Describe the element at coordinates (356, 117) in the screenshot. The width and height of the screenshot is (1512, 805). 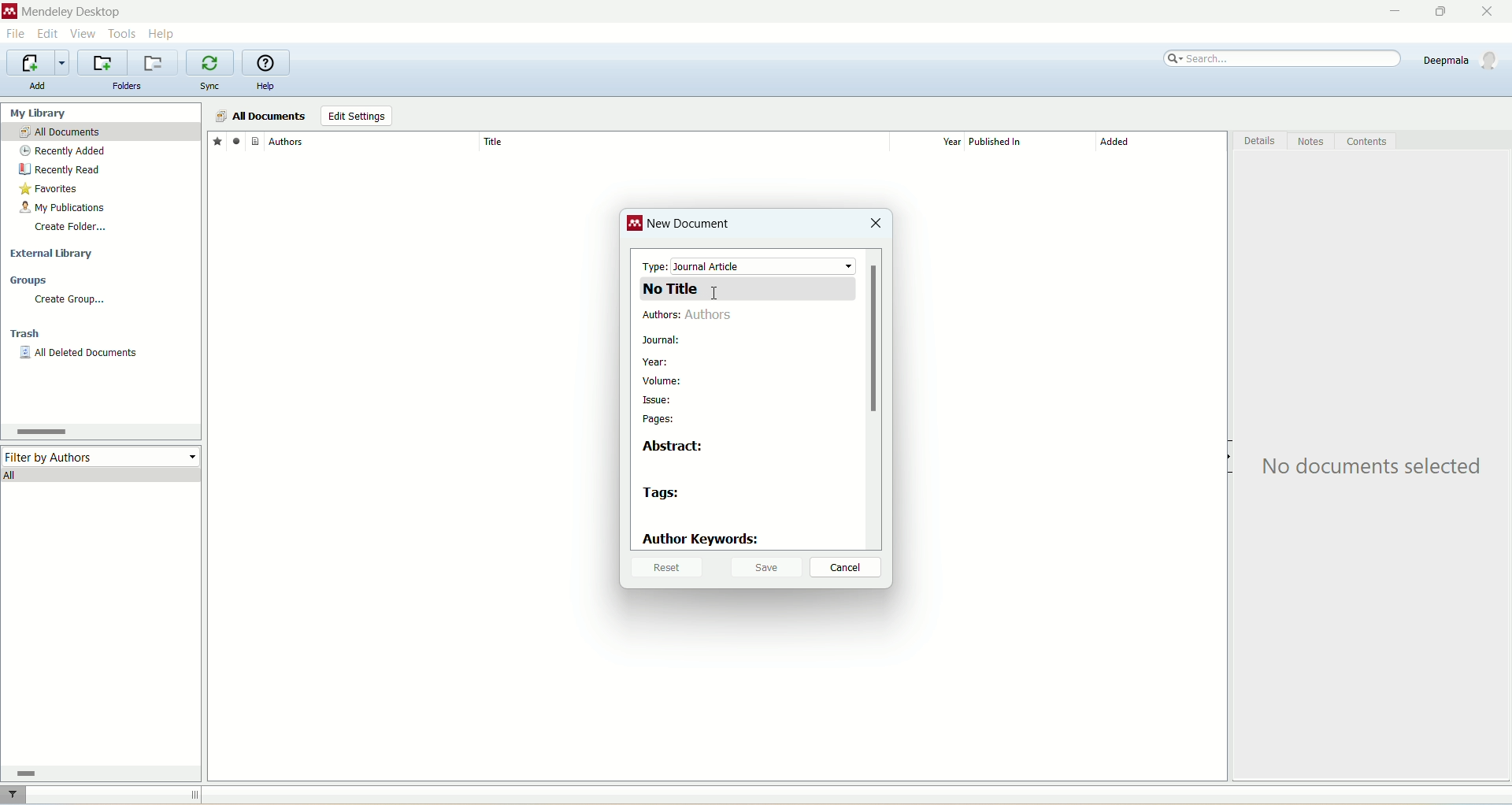
I see `edit settings` at that location.